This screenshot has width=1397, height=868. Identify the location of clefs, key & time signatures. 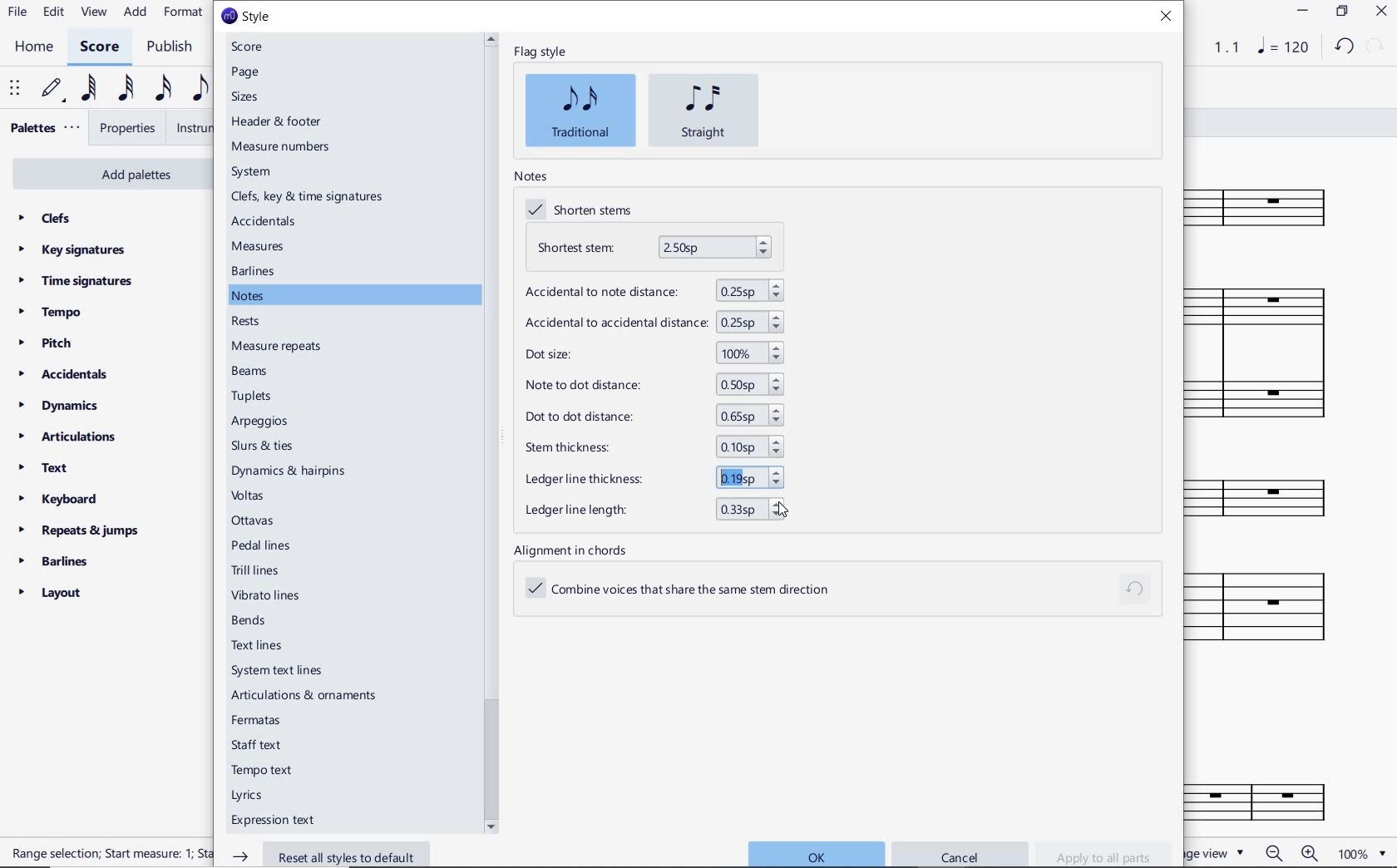
(309, 197).